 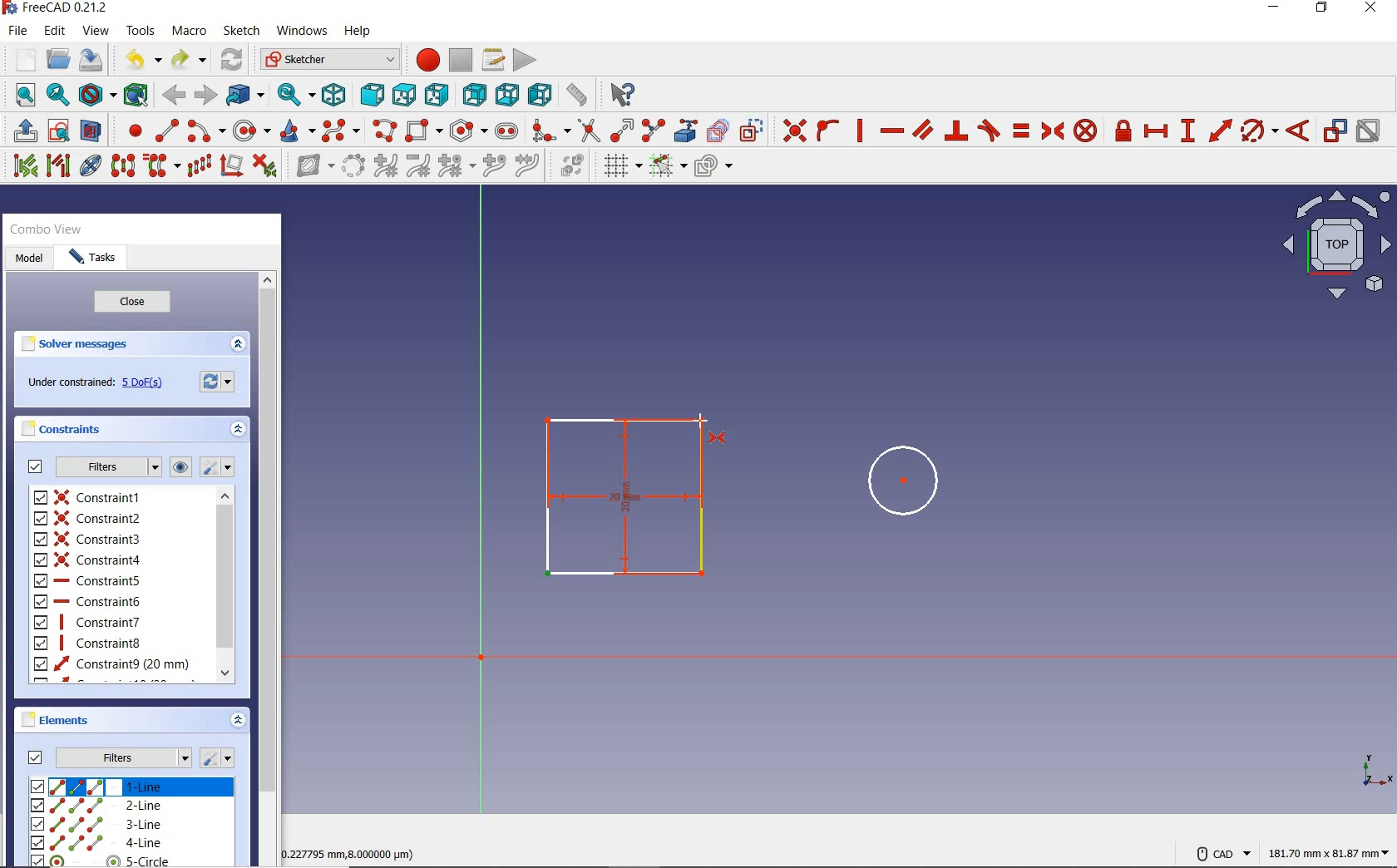 I want to click on constraint2, so click(x=88, y=518).